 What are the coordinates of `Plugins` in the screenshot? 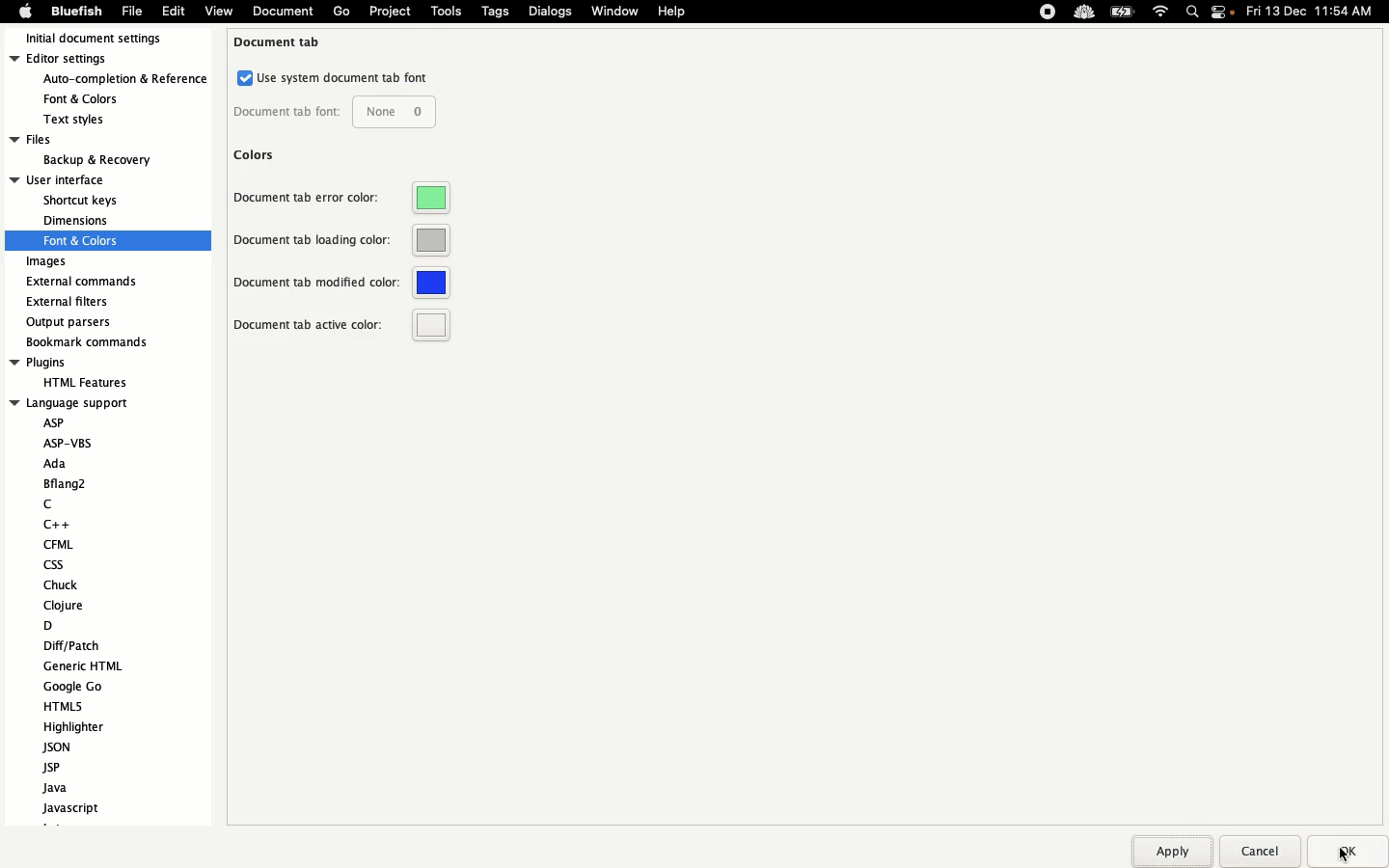 It's located at (71, 363).